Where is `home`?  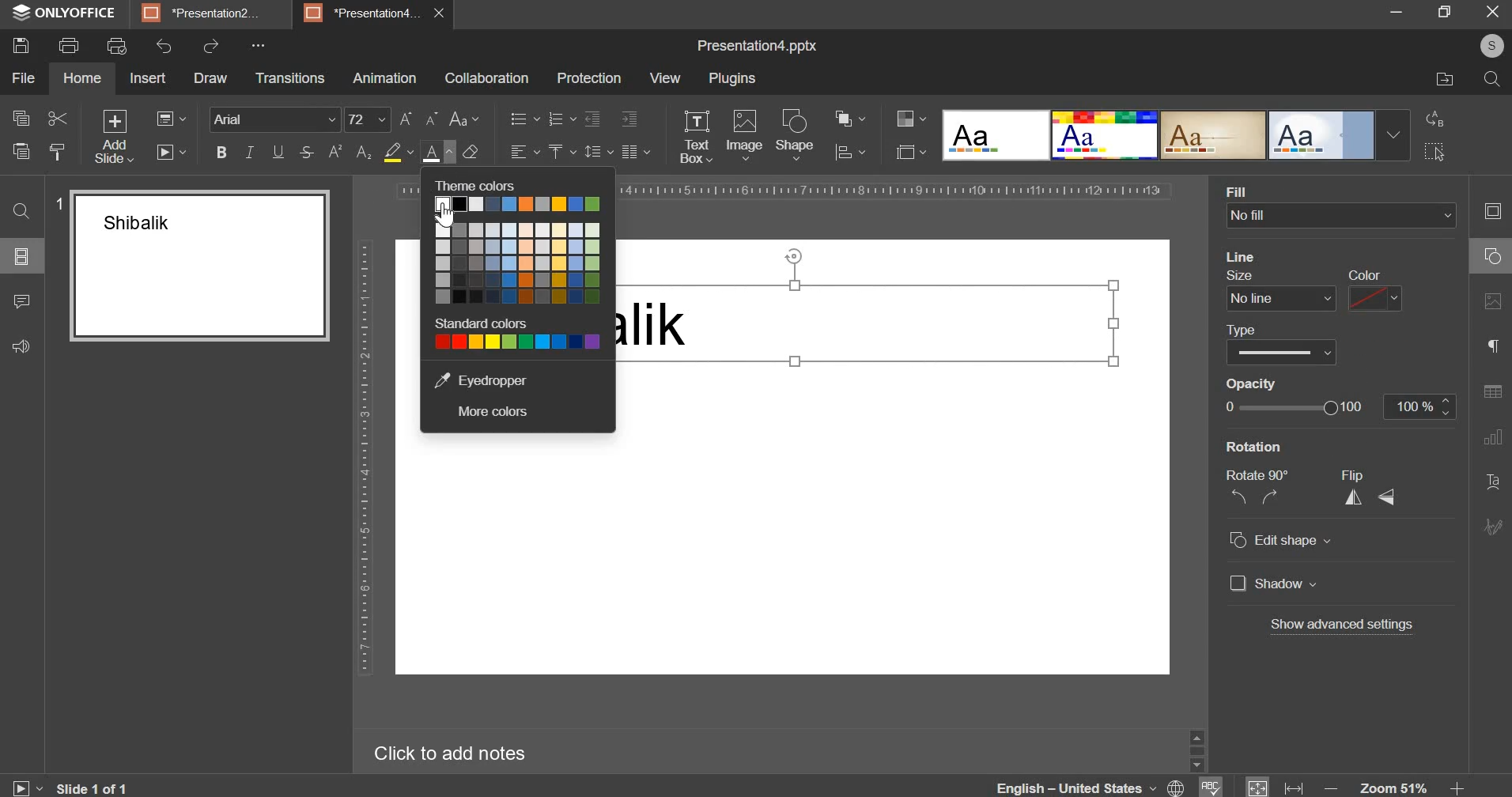 home is located at coordinates (82, 77).